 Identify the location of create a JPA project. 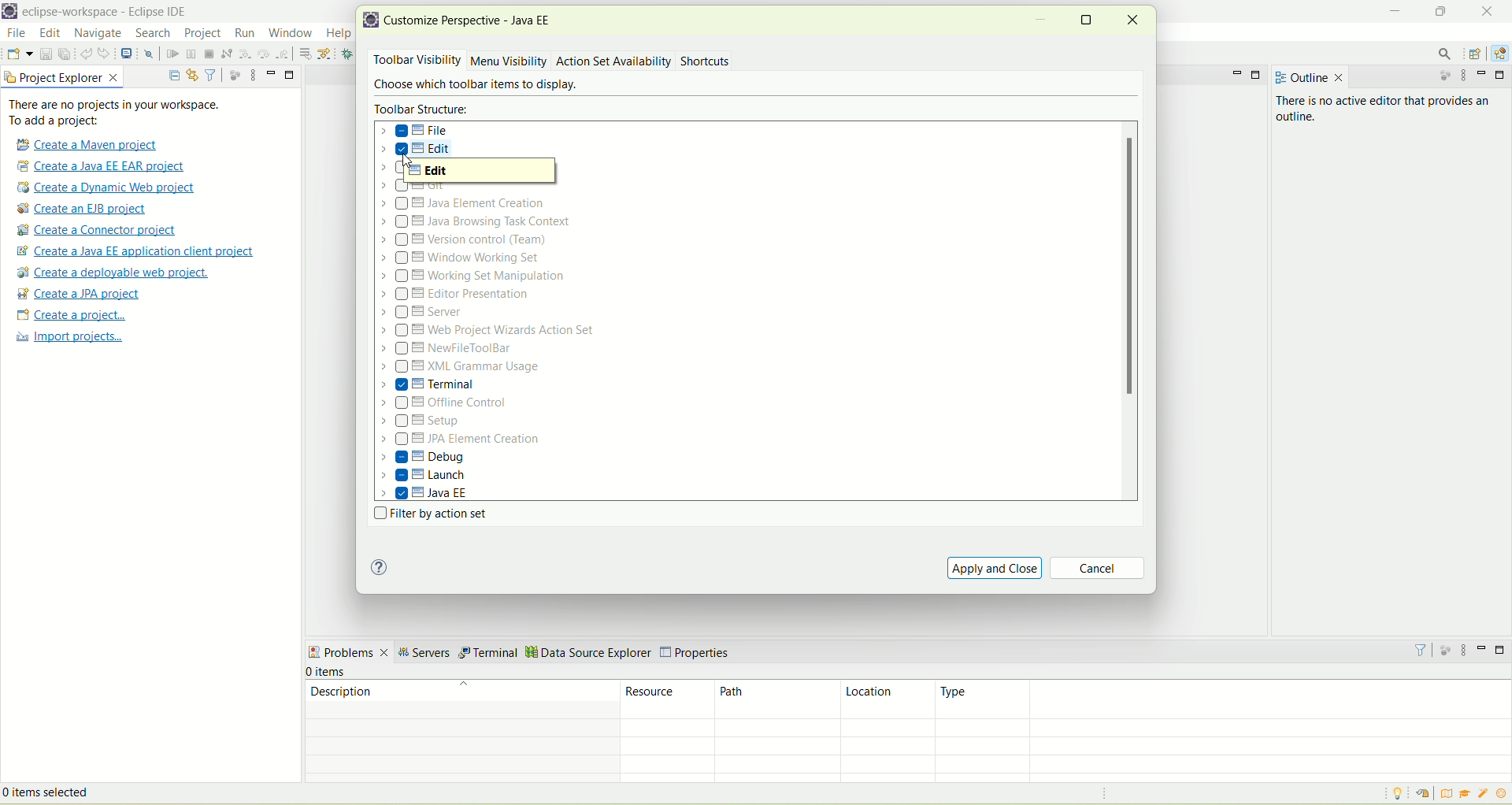
(80, 294).